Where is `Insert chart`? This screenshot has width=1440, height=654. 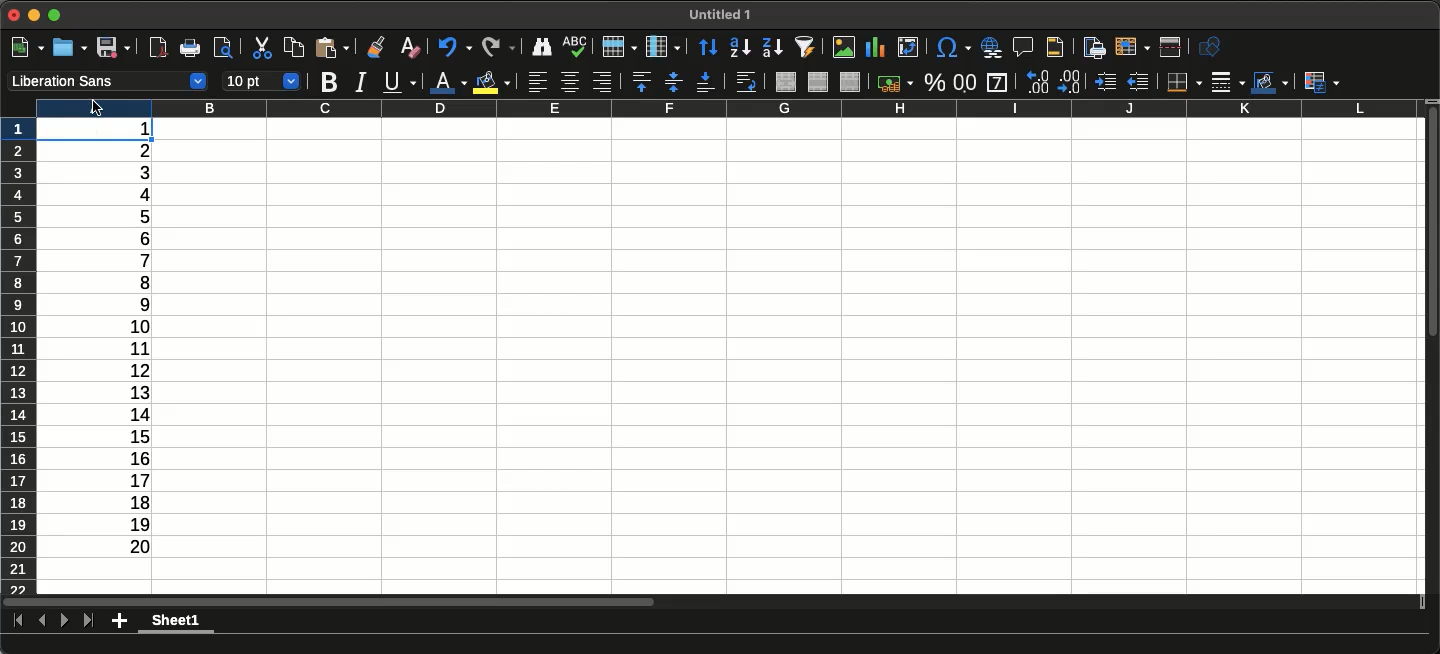 Insert chart is located at coordinates (876, 49).